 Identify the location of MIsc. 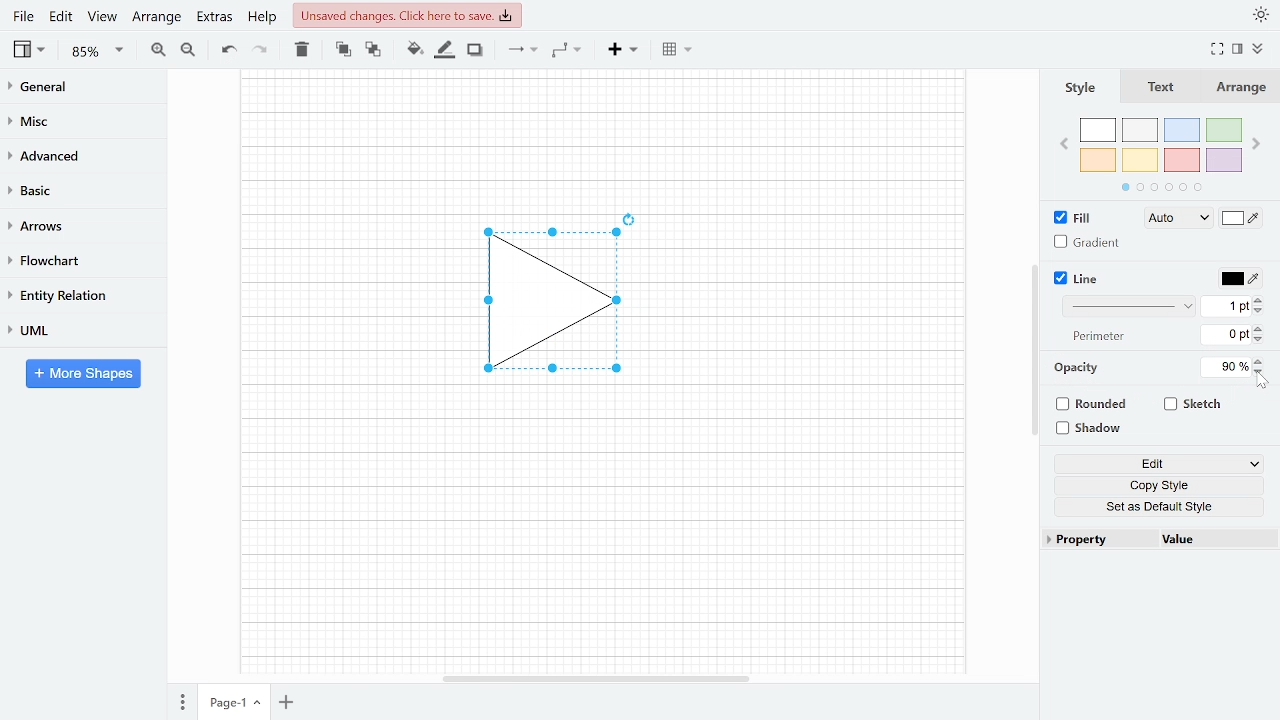
(75, 120).